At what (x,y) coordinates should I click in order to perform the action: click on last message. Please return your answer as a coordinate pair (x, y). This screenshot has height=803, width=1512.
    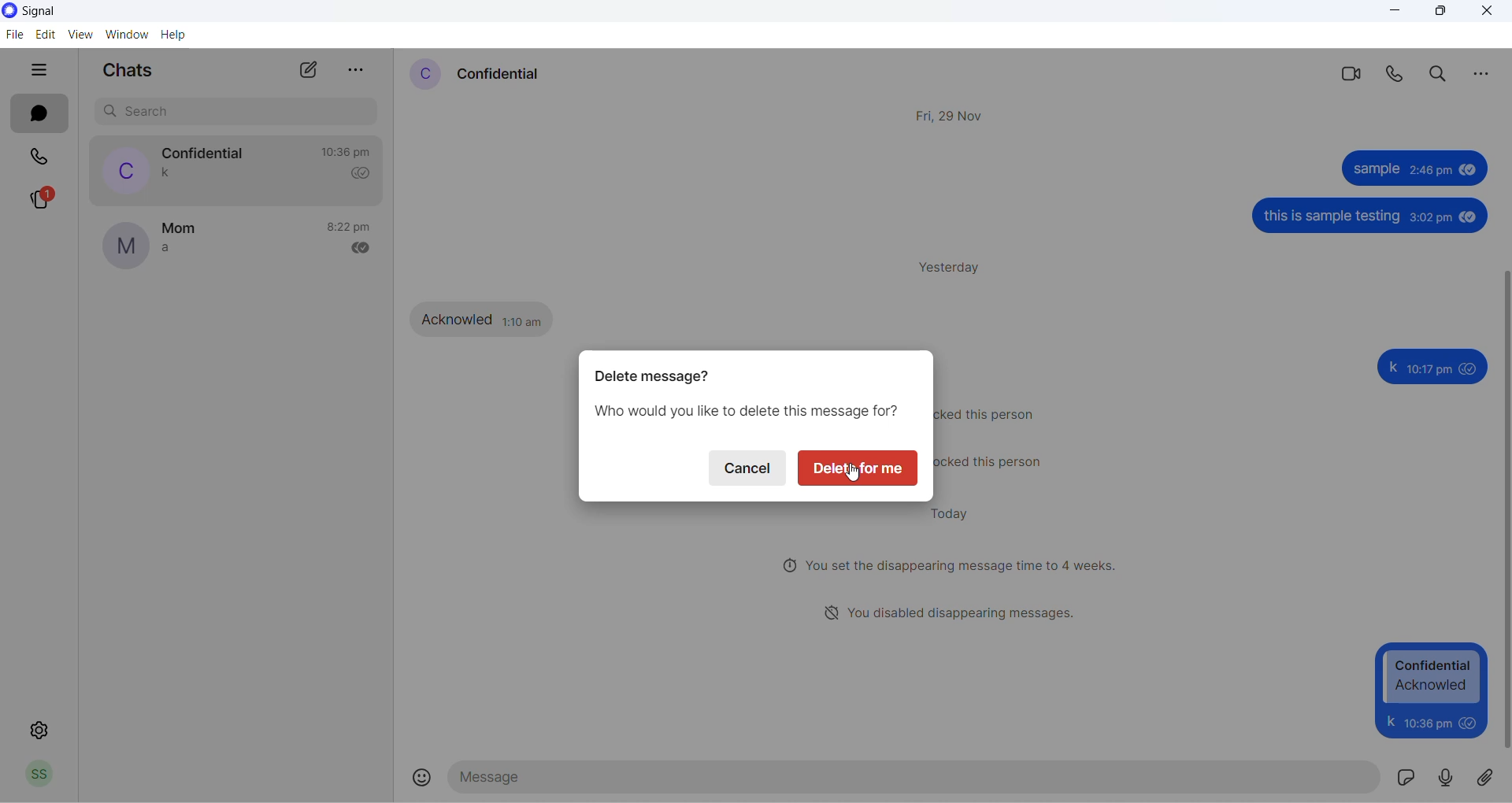
    Looking at the image, I should click on (174, 250).